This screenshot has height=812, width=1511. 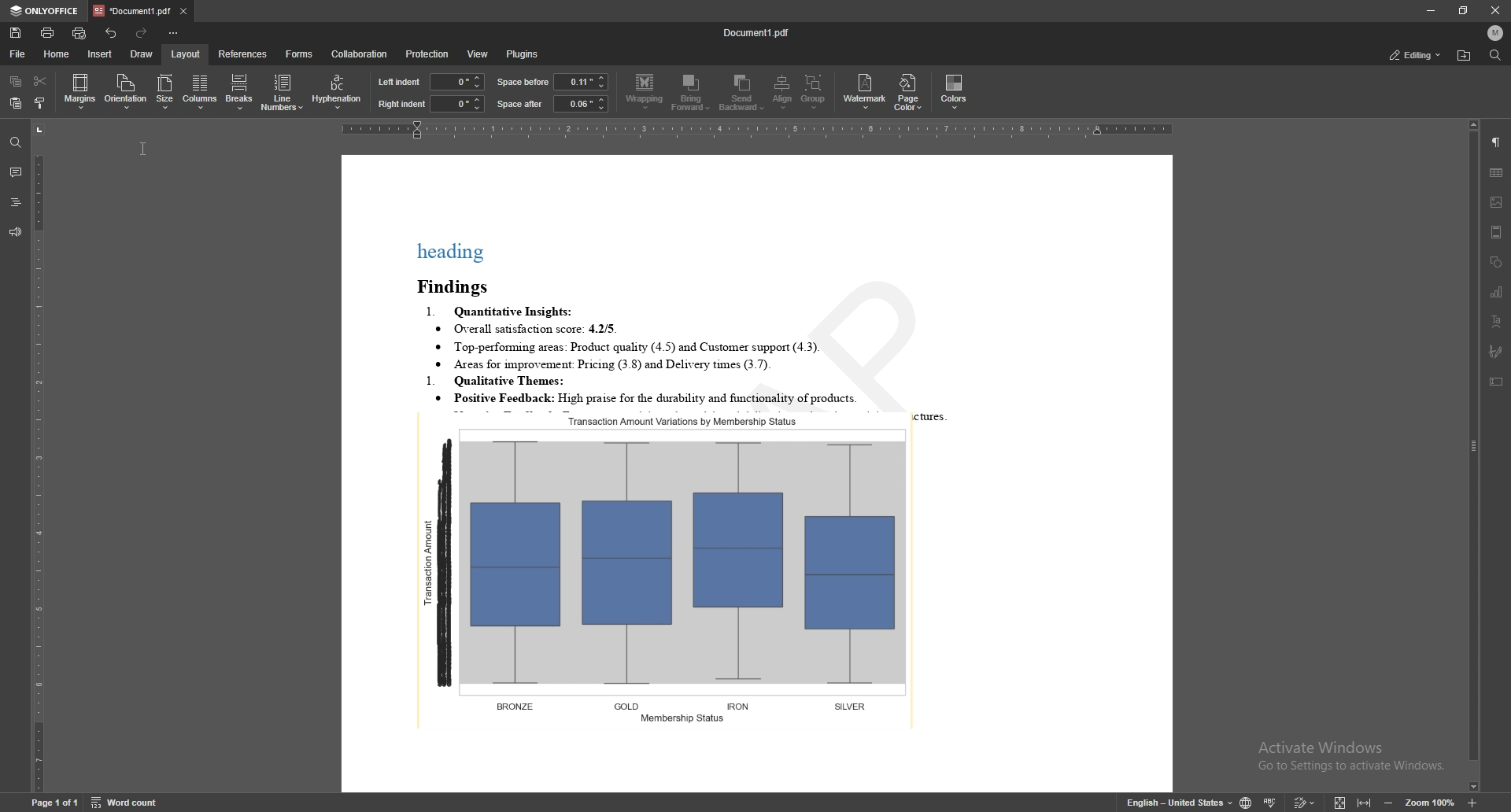 What do you see at coordinates (1340, 801) in the screenshot?
I see `fit to screen` at bounding box center [1340, 801].